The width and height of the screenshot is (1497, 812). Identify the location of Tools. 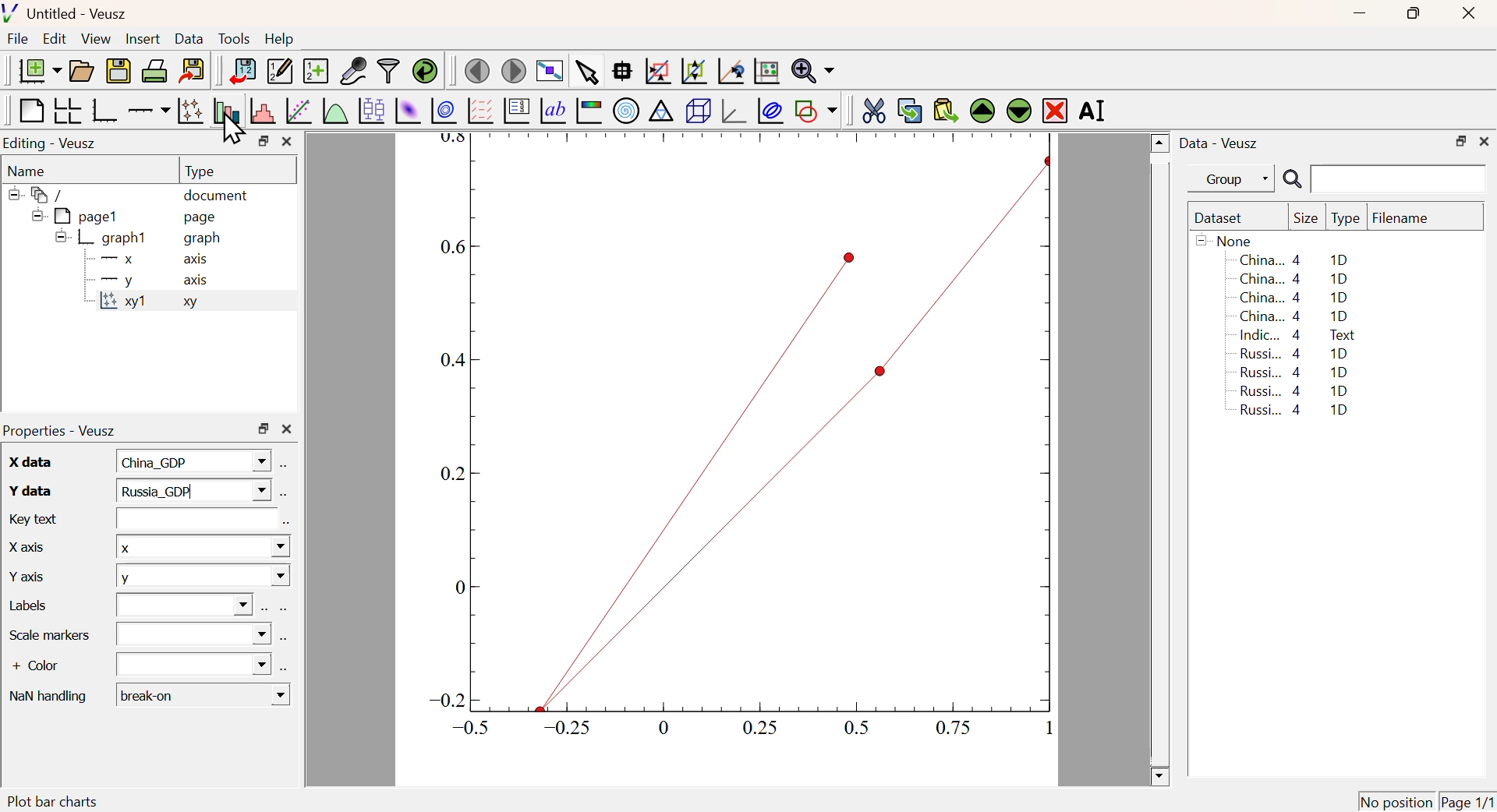
(234, 40).